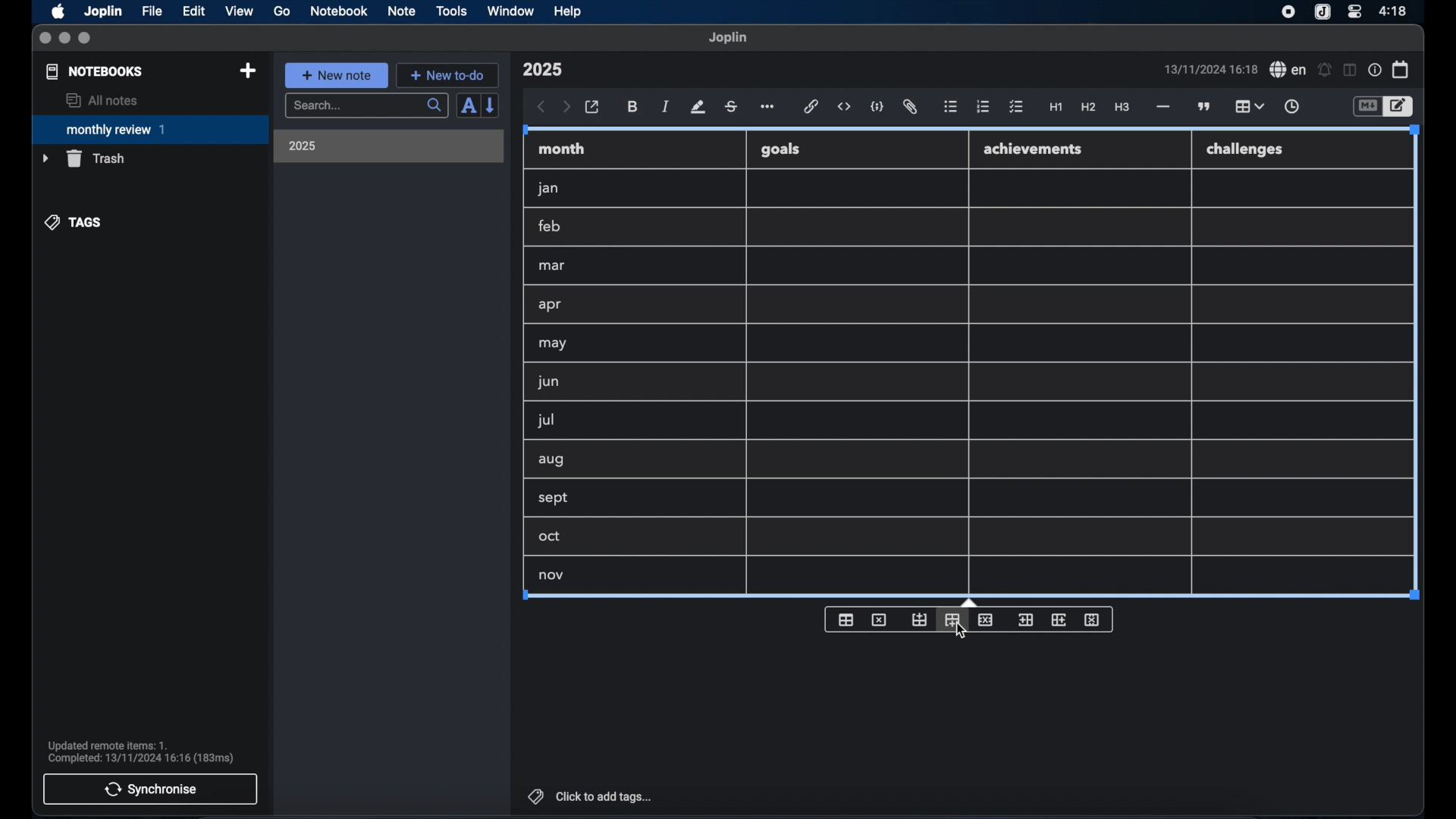 This screenshot has height=819, width=1456. I want to click on note properties, so click(1375, 71).